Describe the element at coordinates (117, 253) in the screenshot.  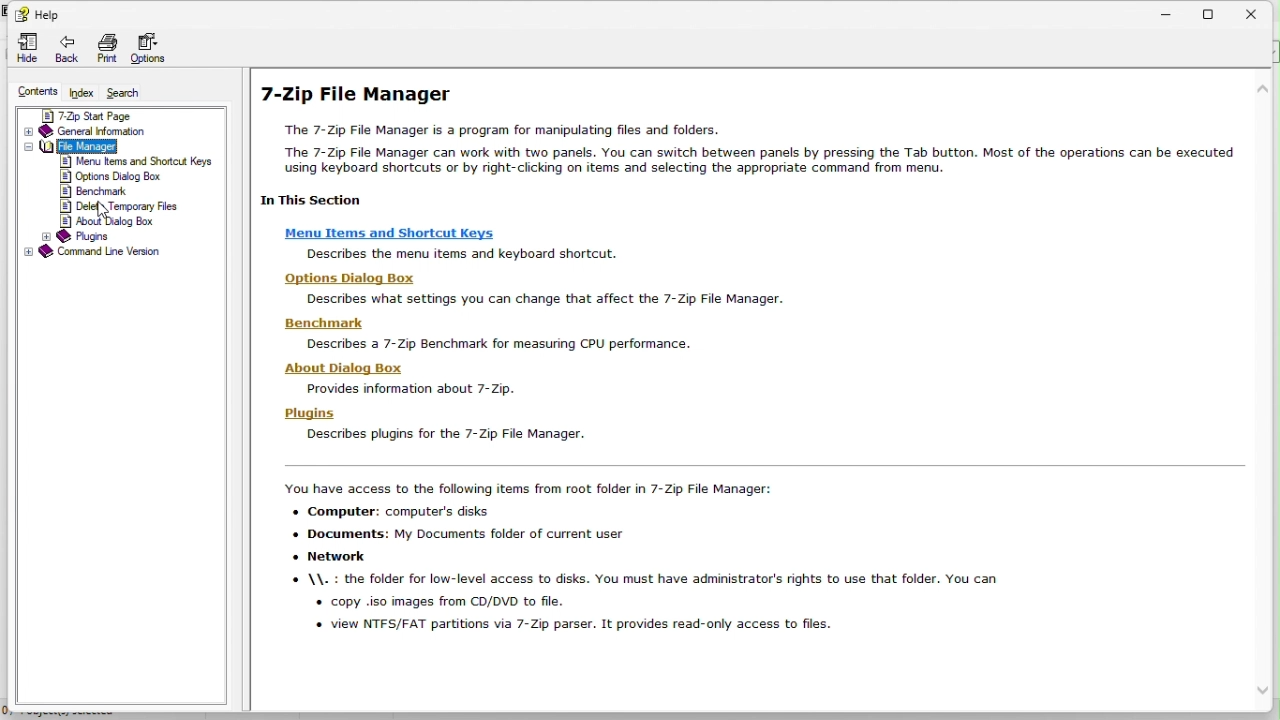
I see `Command line version` at that location.